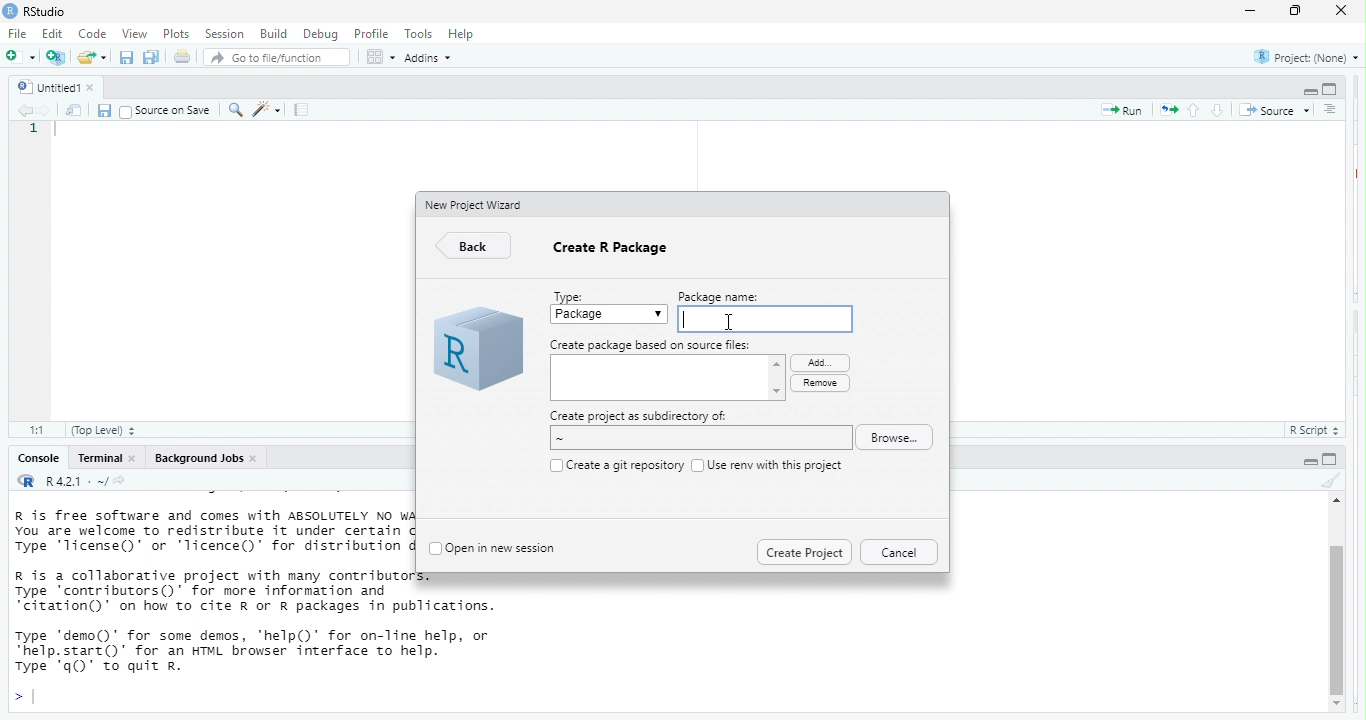 Image resolution: width=1366 pixels, height=720 pixels. Describe the element at coordinates (26, 697) in the screenshot. I see `typing cursor` at that location.